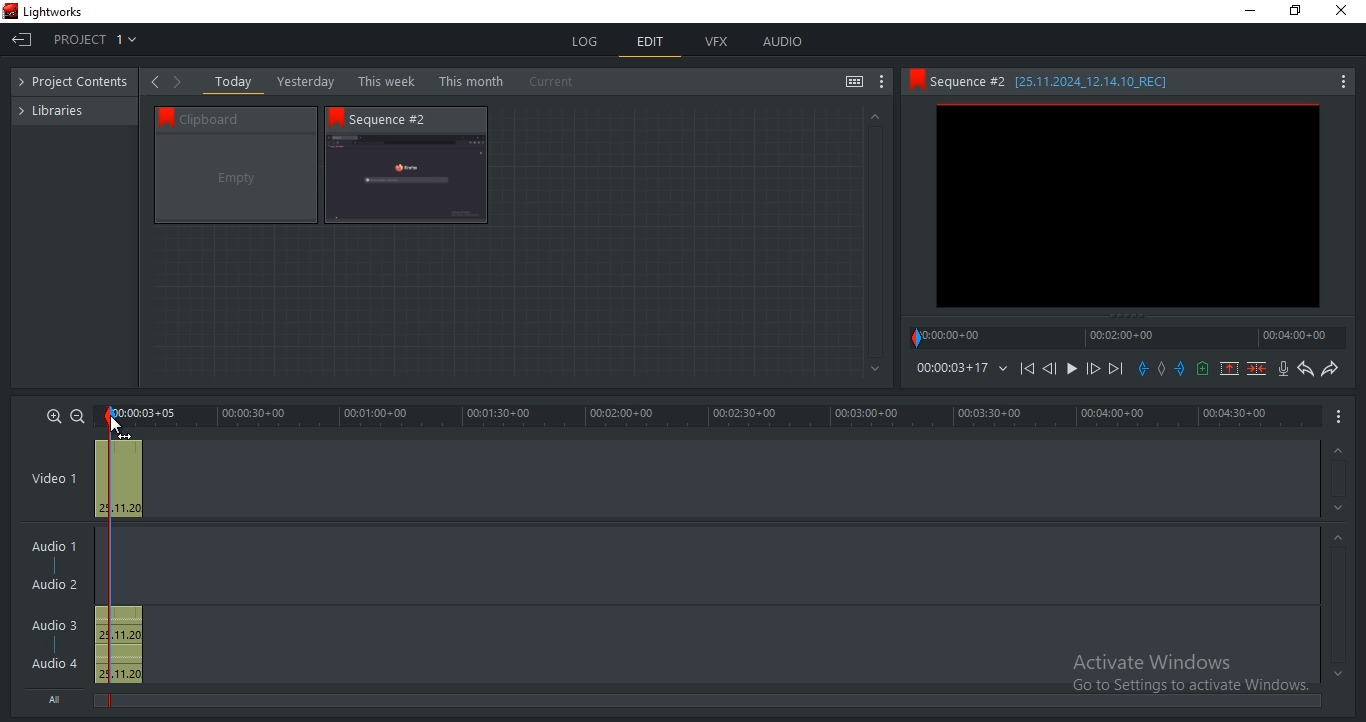 The height and width of the screenshot is (722, 1366). I want to click on Greyed out down arrow, so click(876, 370).